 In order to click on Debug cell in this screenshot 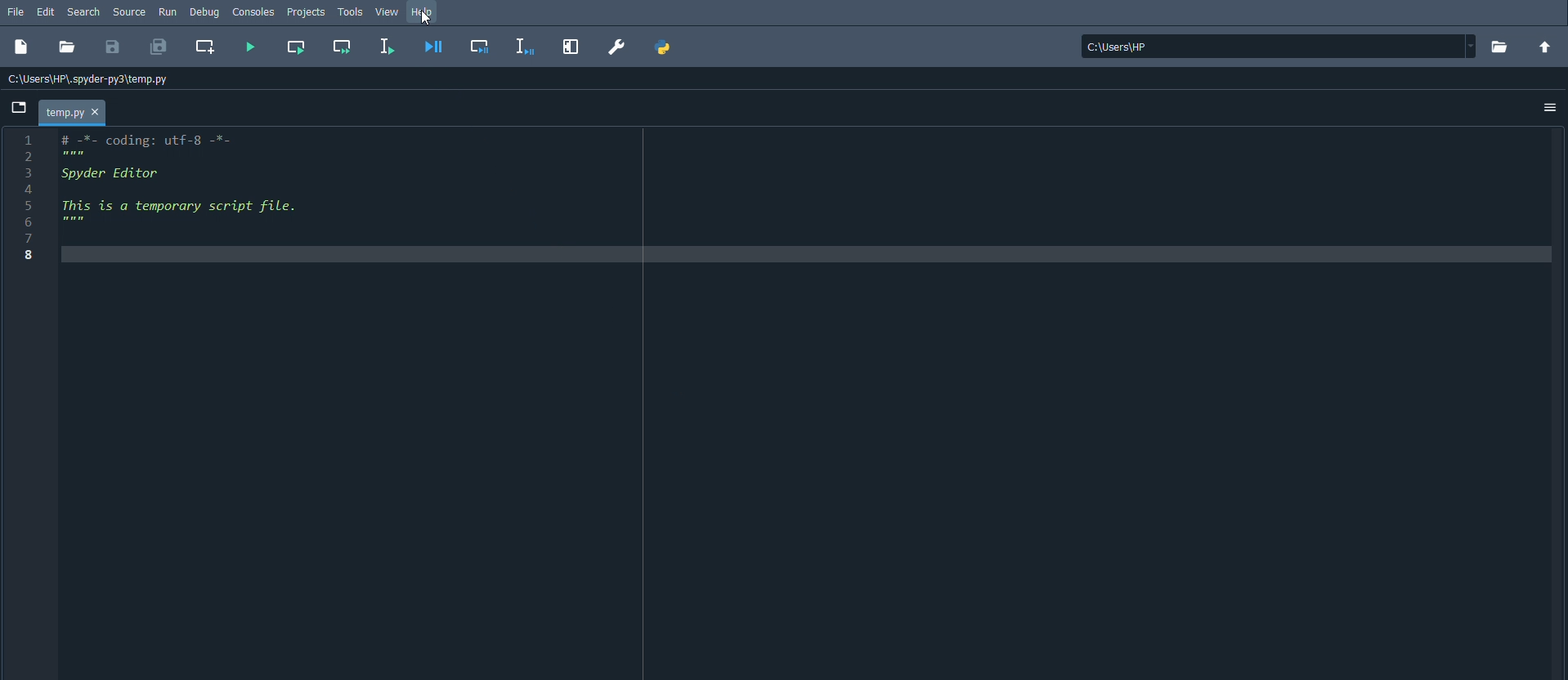, I will do `click(479, 46)`.